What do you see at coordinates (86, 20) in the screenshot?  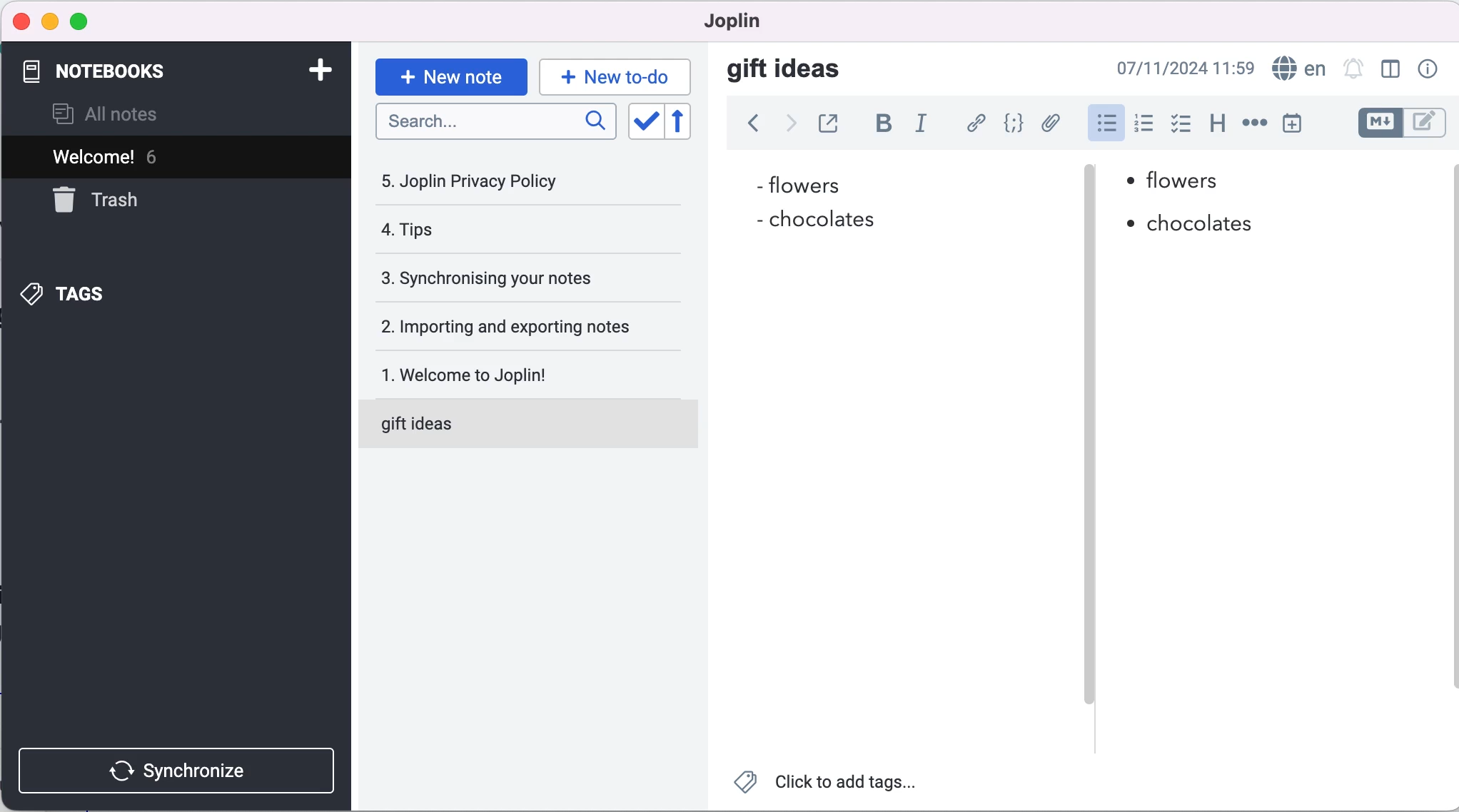 I see `maximize` at bounding box center [86, 20].